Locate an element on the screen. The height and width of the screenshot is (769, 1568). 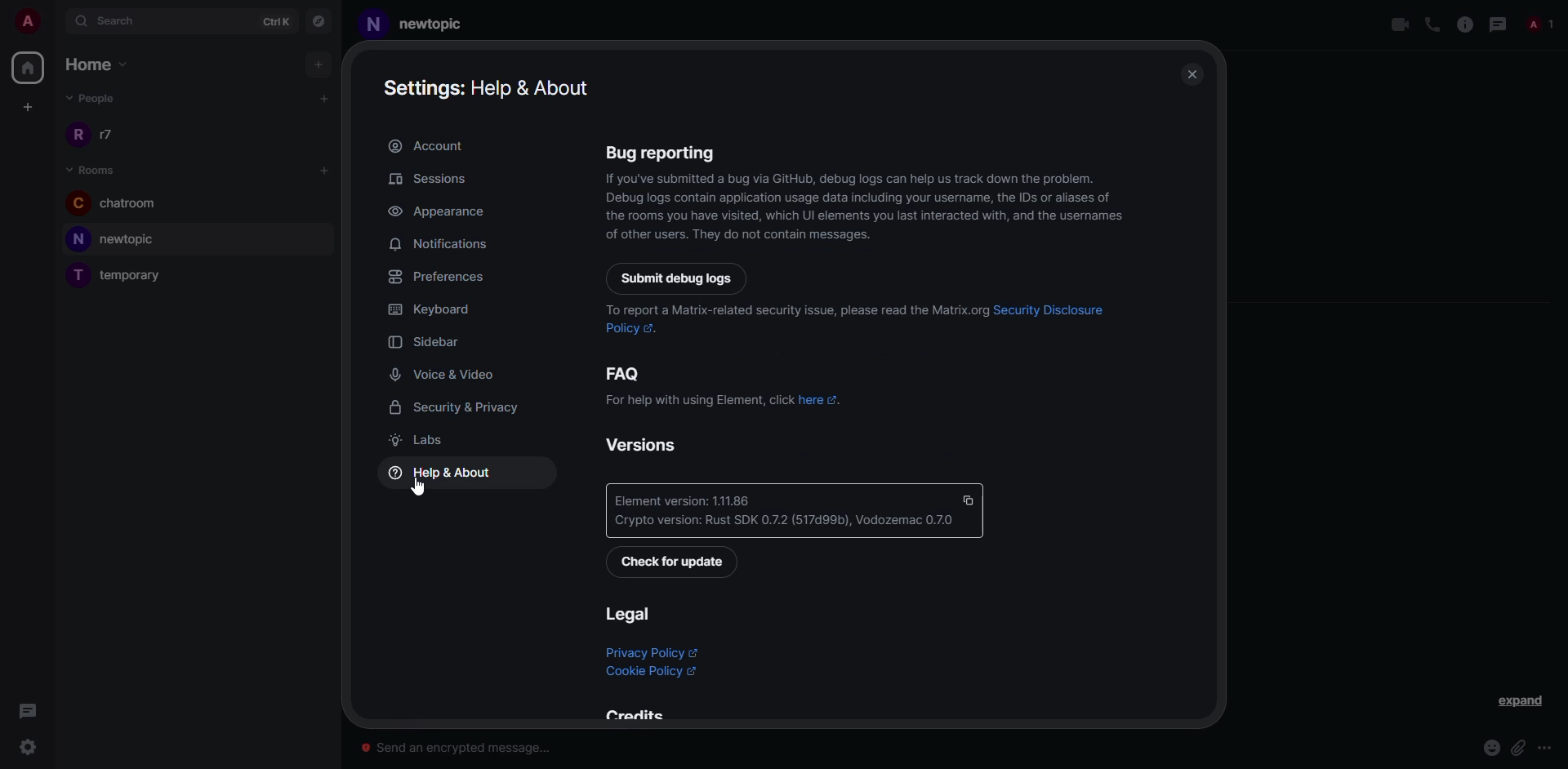
comment is located at coordinates (32, 713).